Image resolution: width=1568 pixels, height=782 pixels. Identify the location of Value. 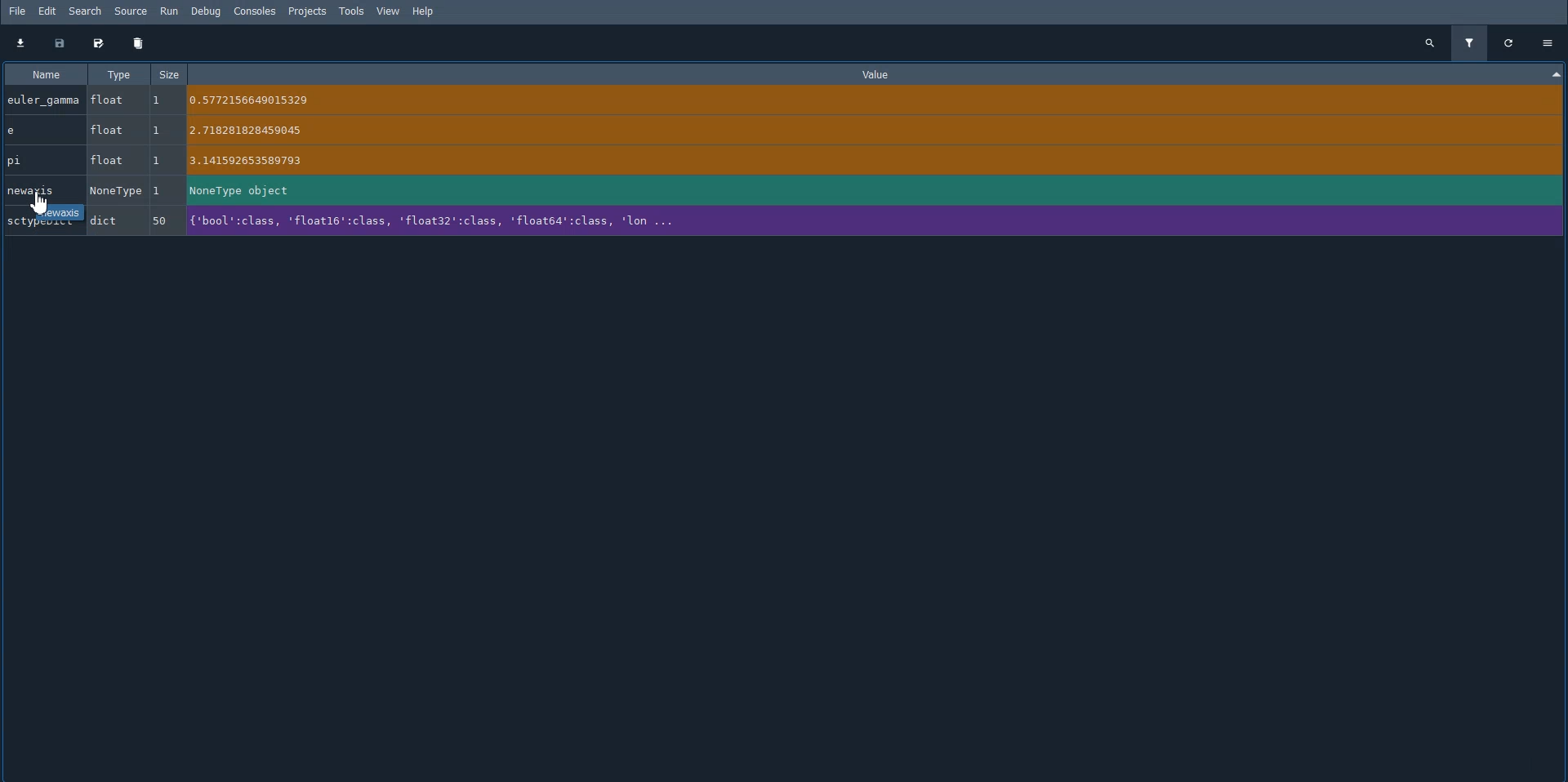
(880, 73).